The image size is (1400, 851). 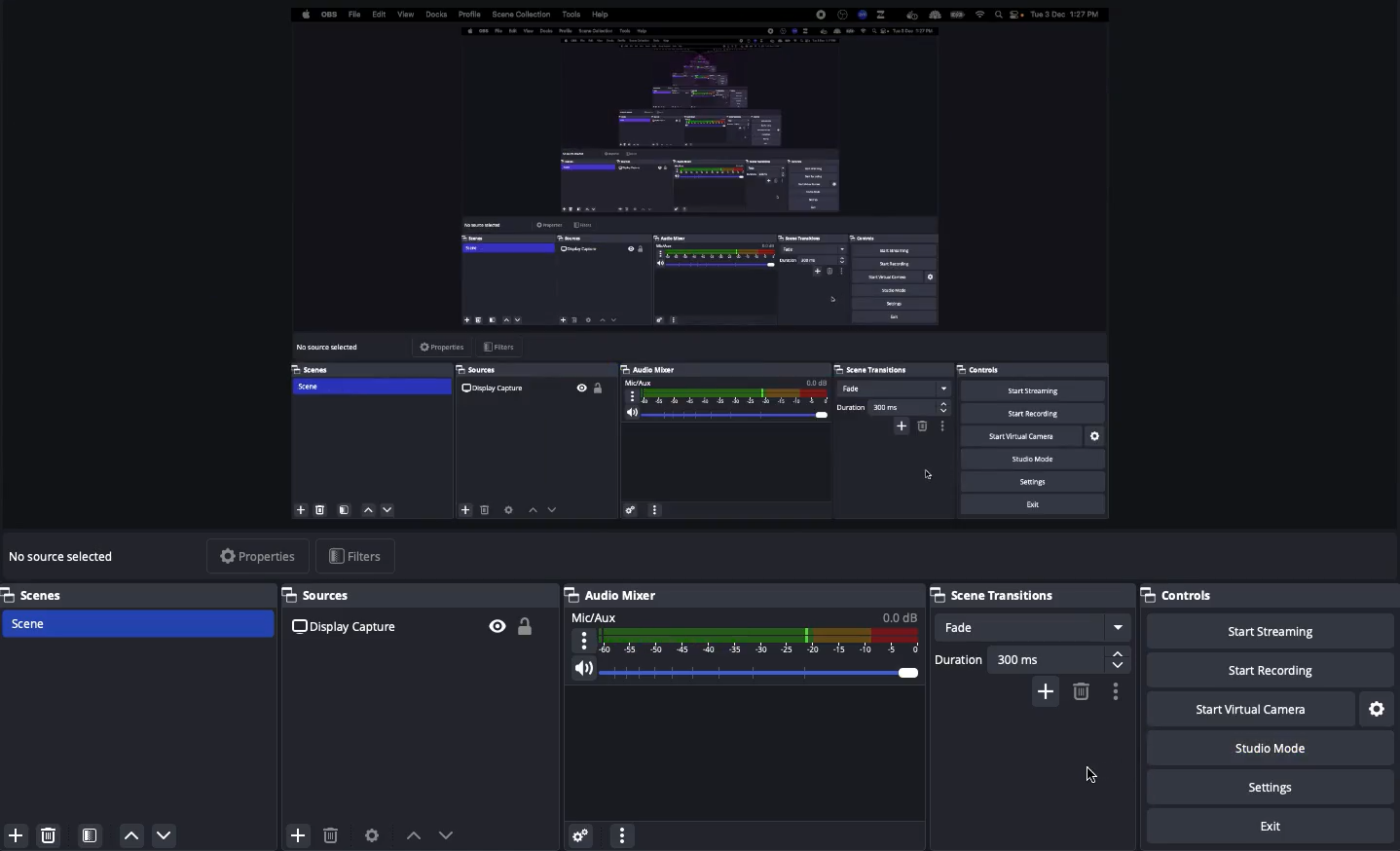 What do you see at coordinates (1273, 786) in the screenshot?
I see `Settings` at bounding box center [1273, 786].